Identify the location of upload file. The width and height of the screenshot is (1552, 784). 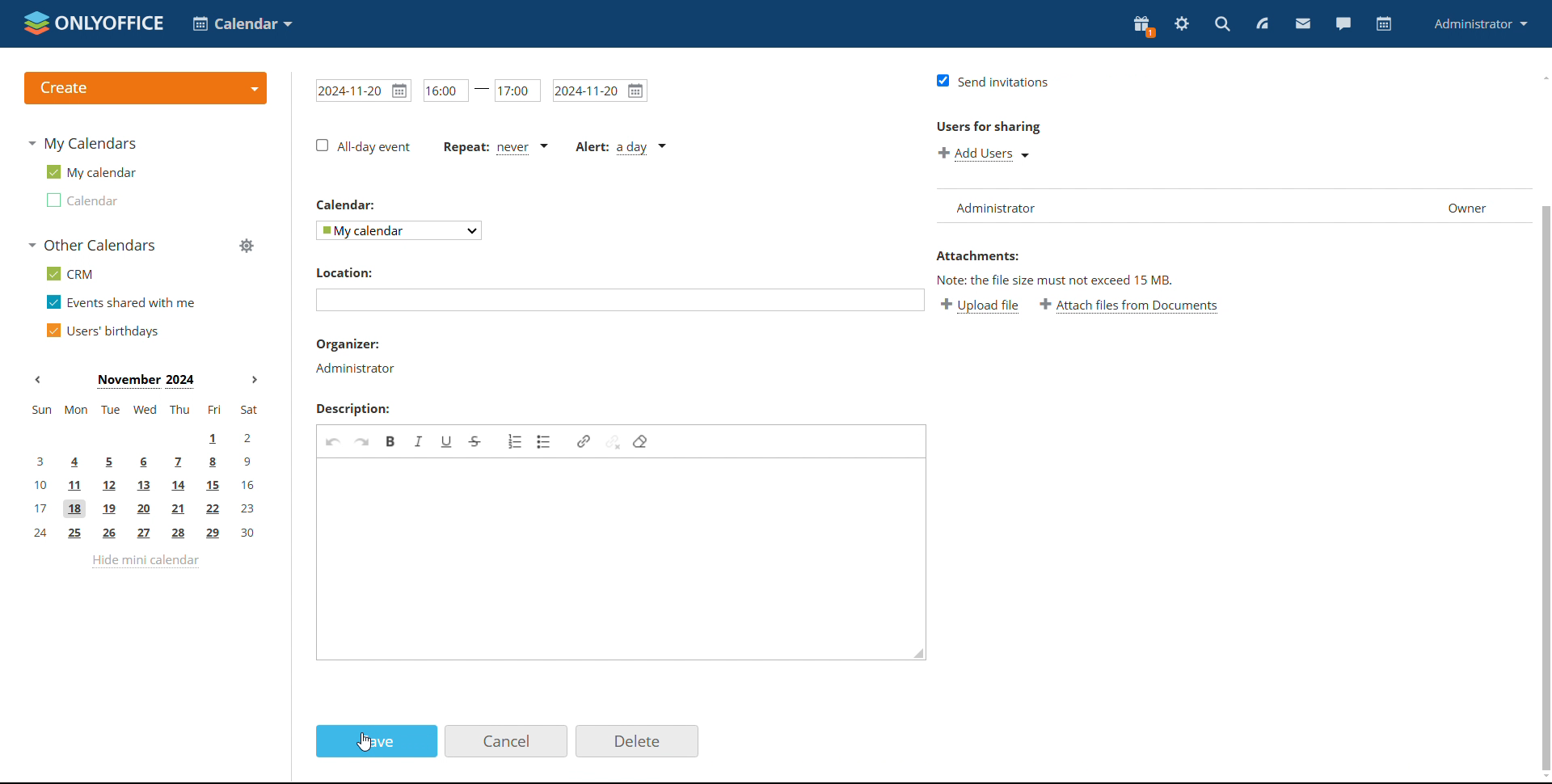
(979, 306).